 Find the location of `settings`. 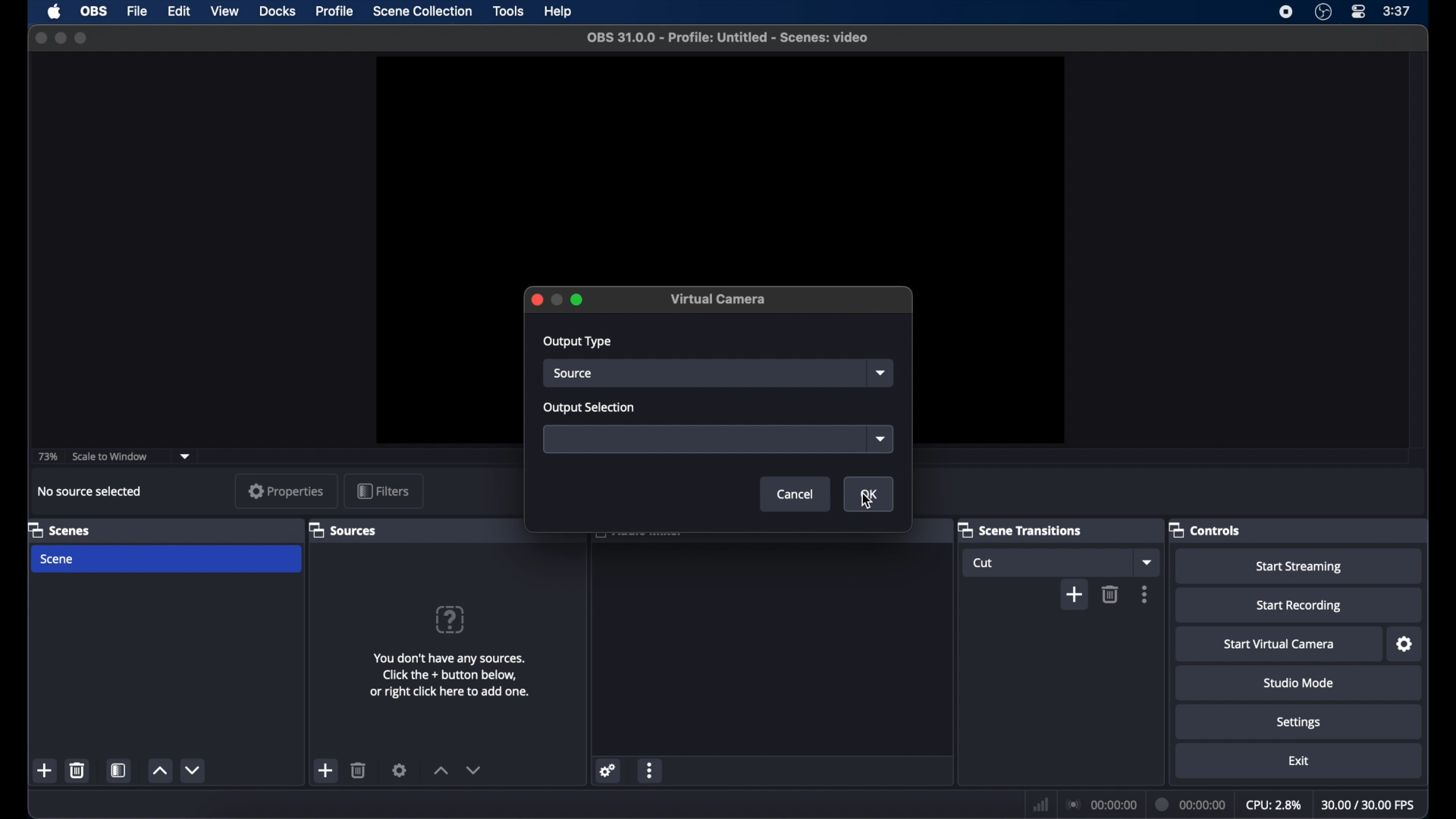

settings is located at coordinates (1298, 723).